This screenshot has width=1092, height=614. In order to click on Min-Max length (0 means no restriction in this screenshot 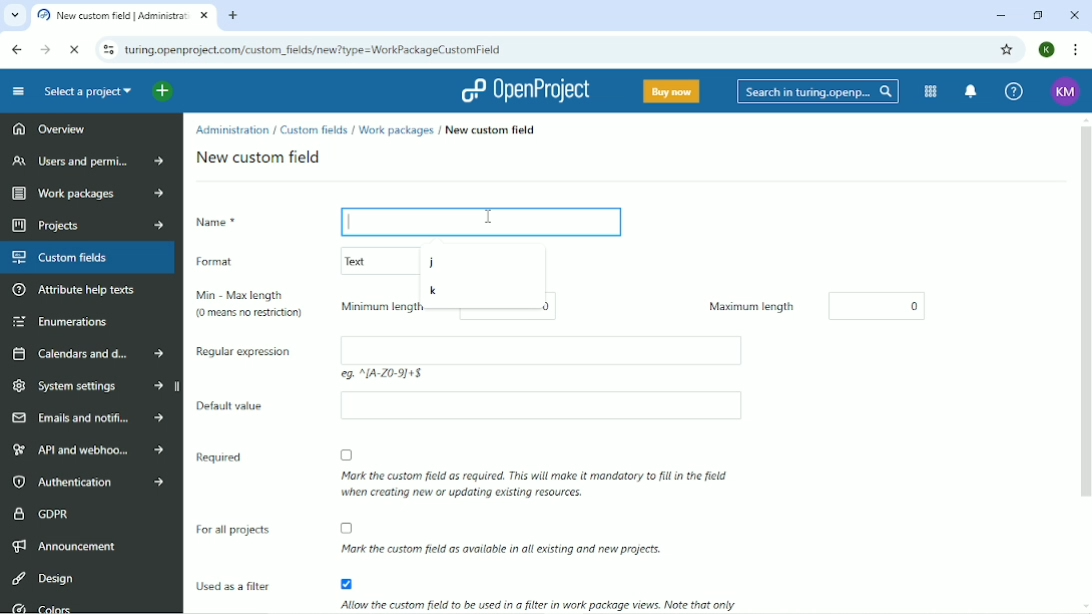, I will do `click(248, 306)`.